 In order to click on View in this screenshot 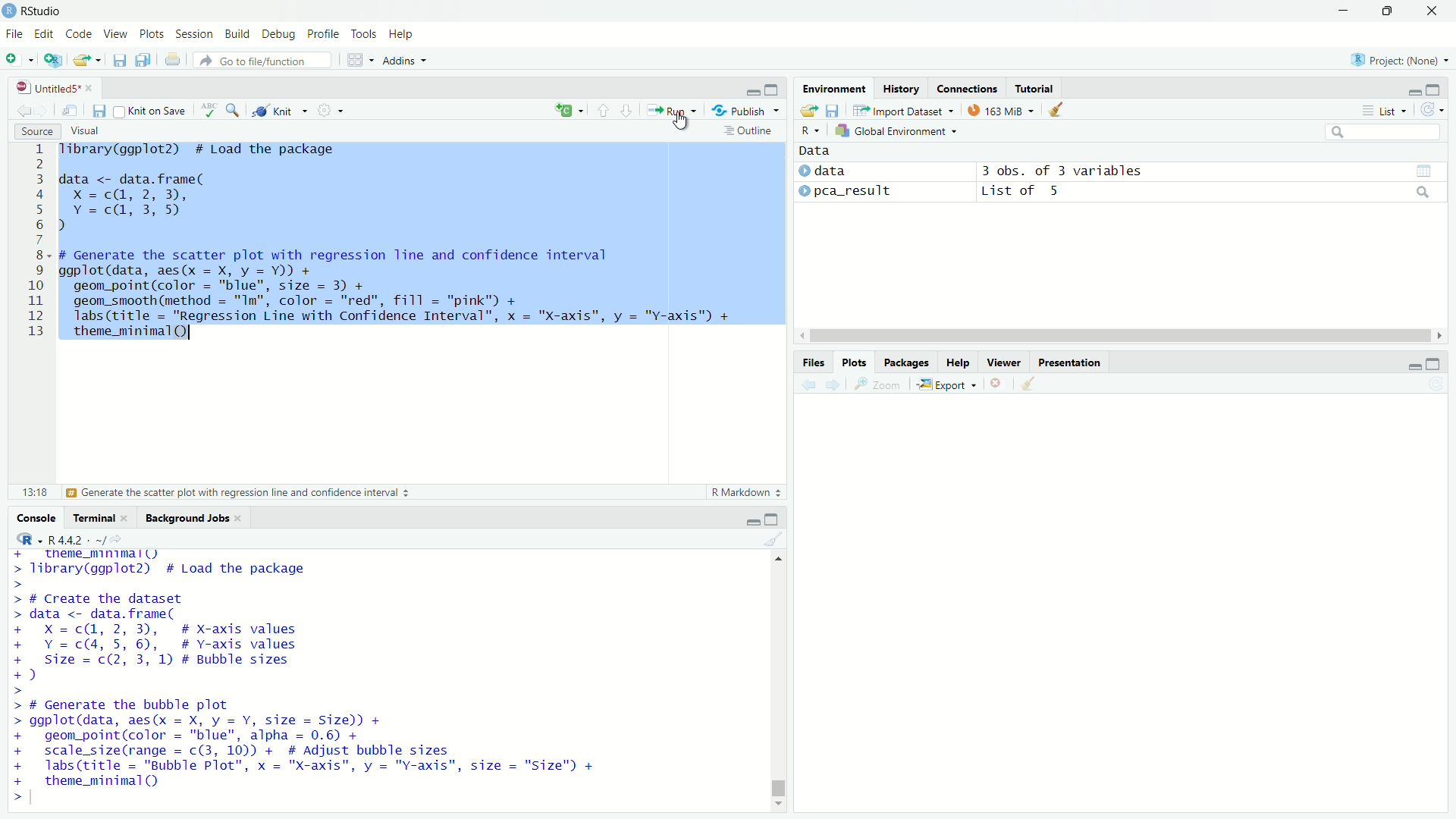, I will do `click(115, 34)`.